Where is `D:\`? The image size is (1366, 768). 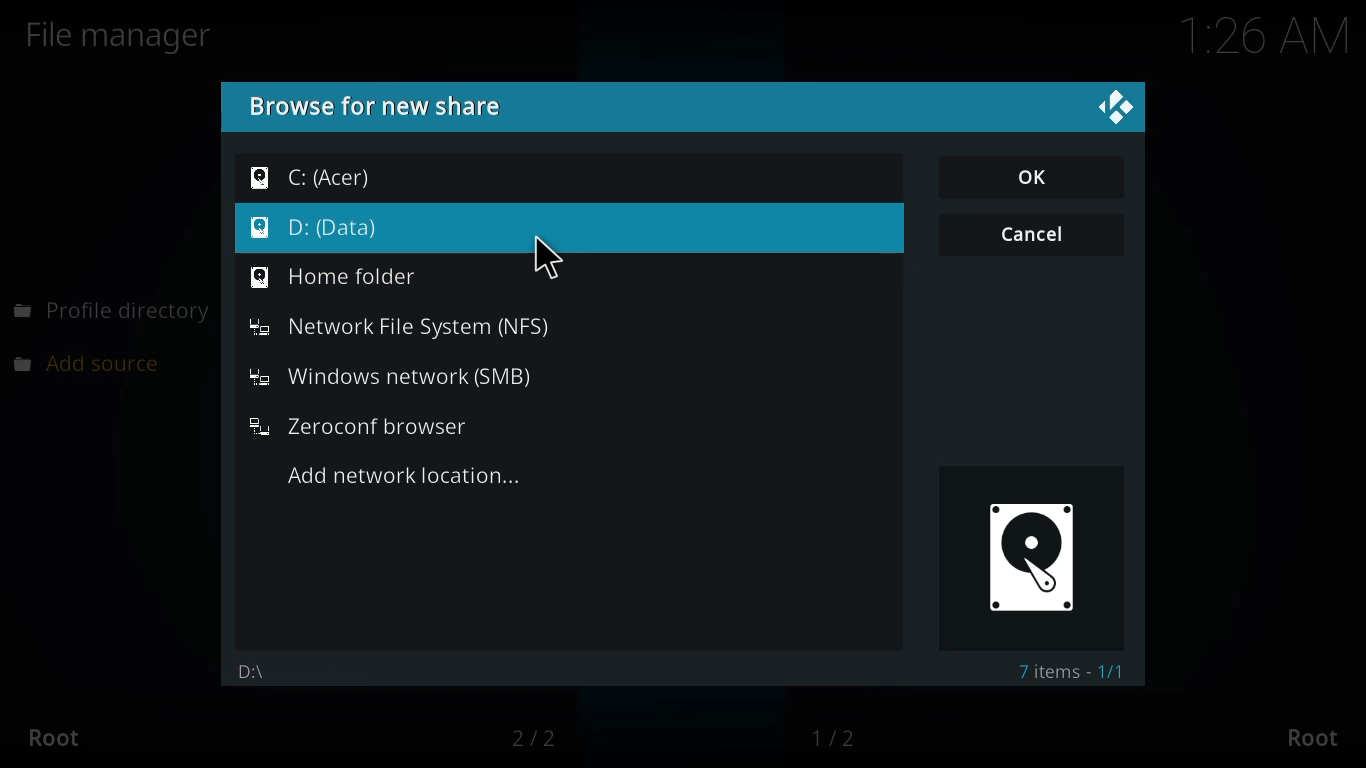
D:\ is located at coordinates (260, 669).